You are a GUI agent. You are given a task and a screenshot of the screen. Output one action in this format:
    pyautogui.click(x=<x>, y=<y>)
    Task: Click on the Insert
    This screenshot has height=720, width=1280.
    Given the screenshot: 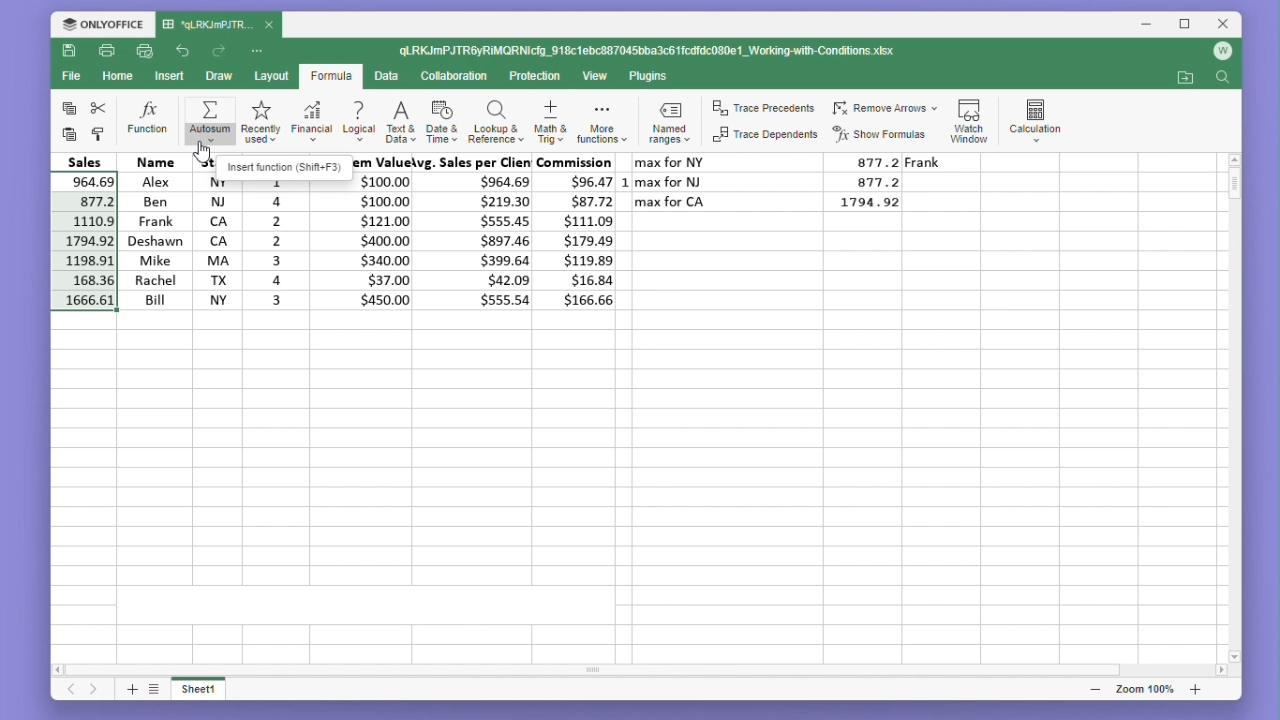 What is the action you would take?
    pyautogui.click(x=166, y=76)
    